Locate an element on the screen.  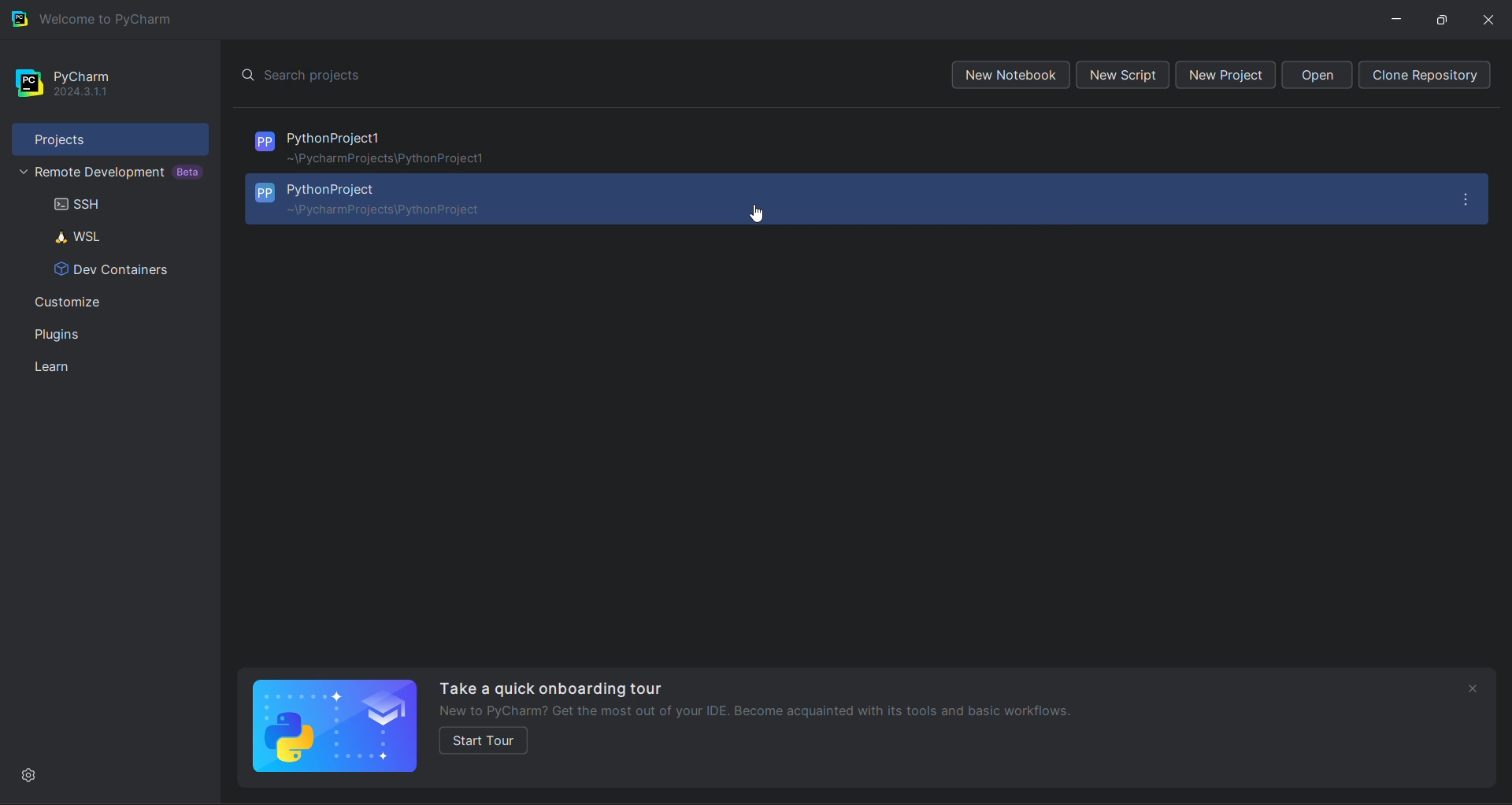
pycharm is located at coordinates (105, 80).